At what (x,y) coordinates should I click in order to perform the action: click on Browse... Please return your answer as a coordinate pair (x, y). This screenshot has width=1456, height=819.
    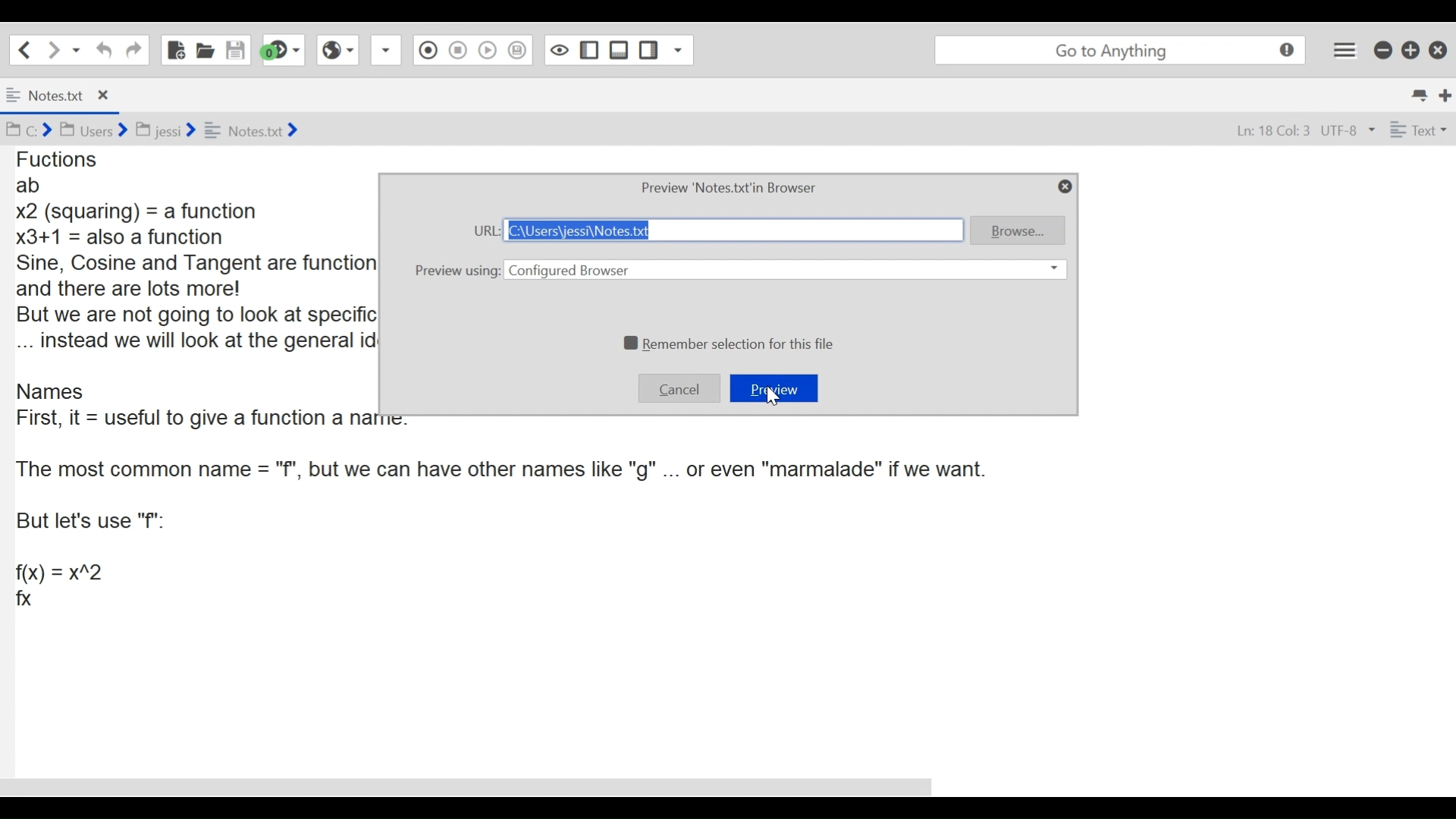
    Looking at the image, I should click on (1020, 231).